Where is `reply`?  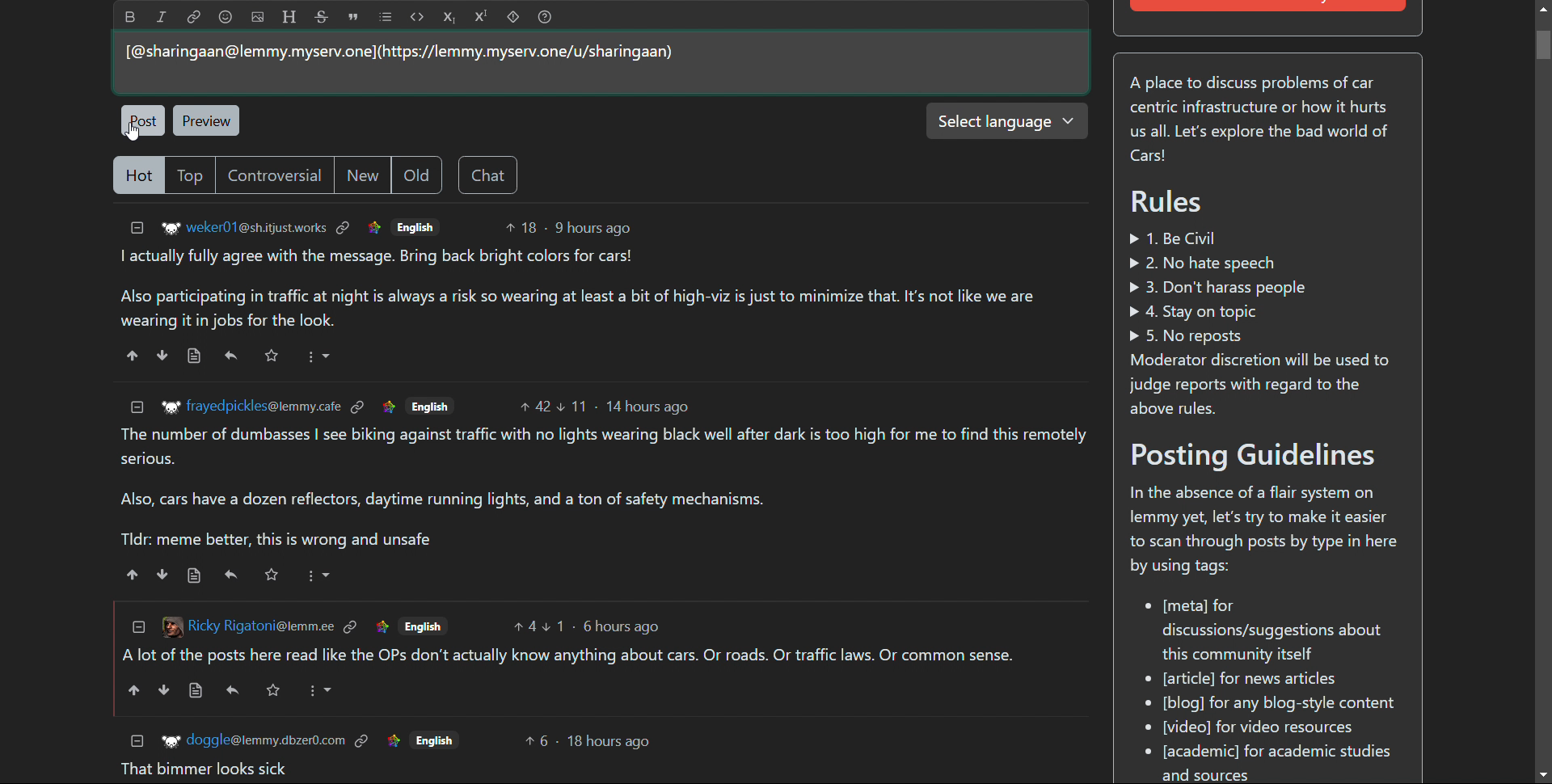 reply is located at coordinates (231, 356).